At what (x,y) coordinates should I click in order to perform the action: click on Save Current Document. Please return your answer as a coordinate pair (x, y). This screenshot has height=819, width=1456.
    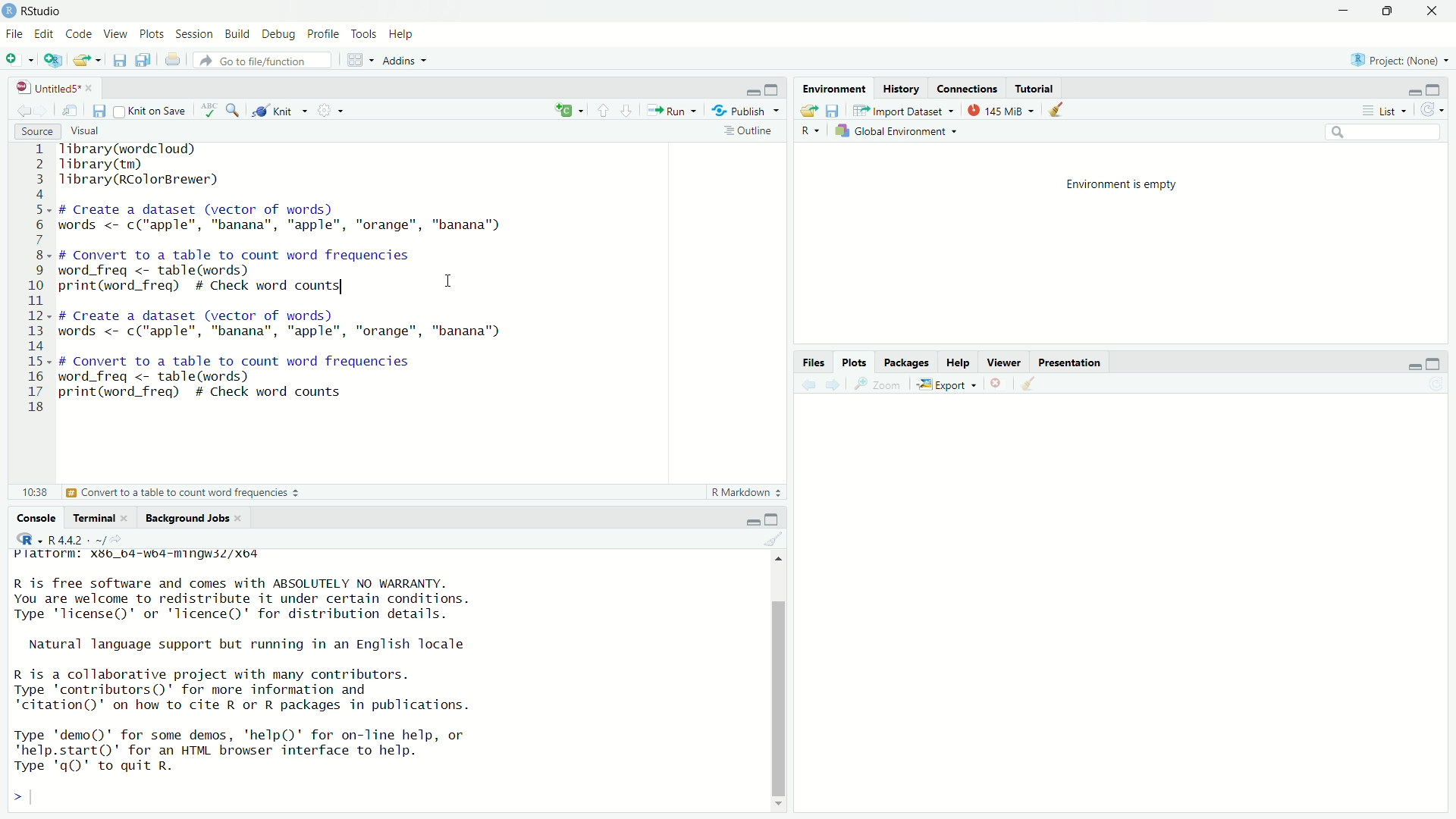
    Looking at the image, I should click on (118, 61).